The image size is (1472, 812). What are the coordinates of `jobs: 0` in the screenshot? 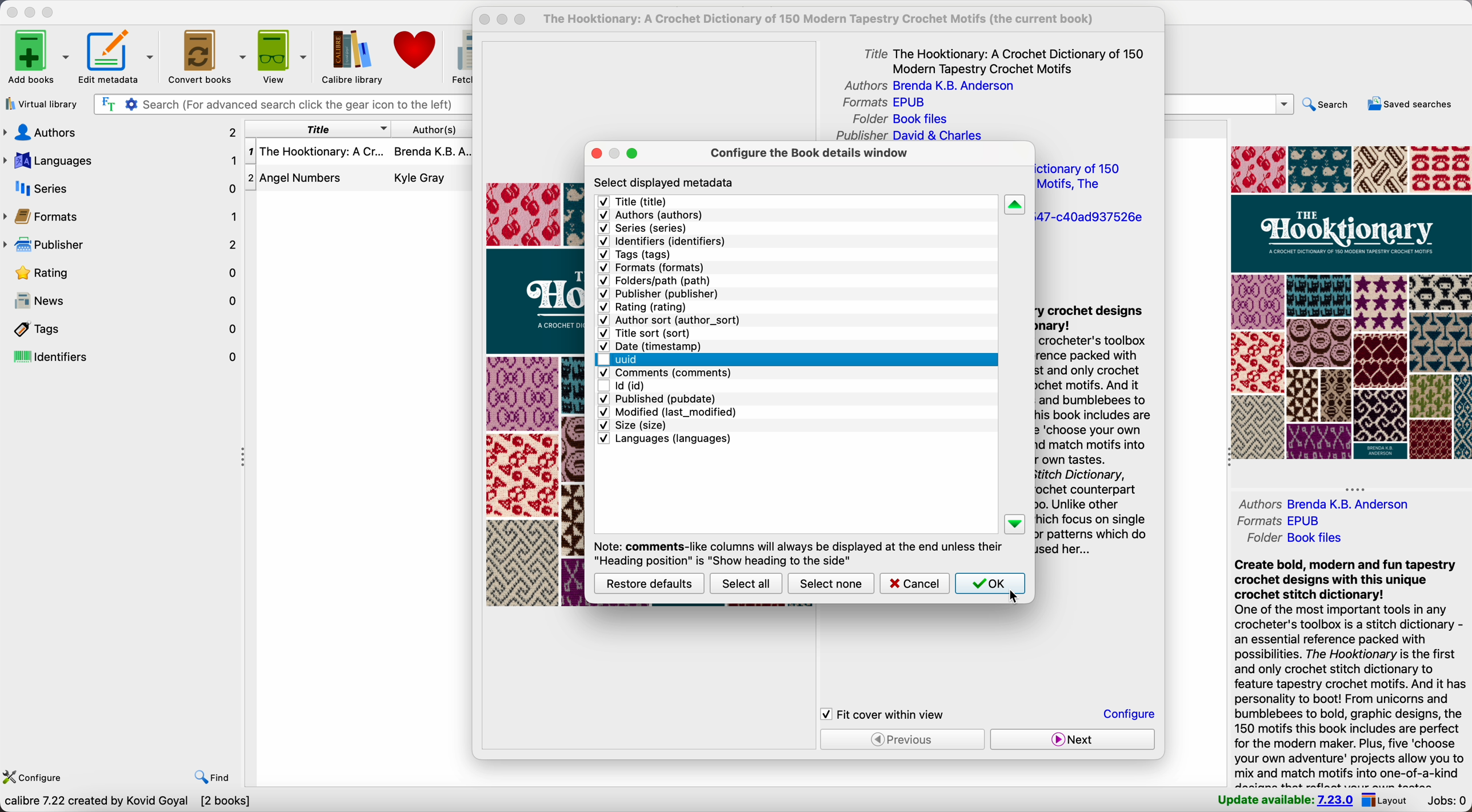 It's located at (1445, 801).